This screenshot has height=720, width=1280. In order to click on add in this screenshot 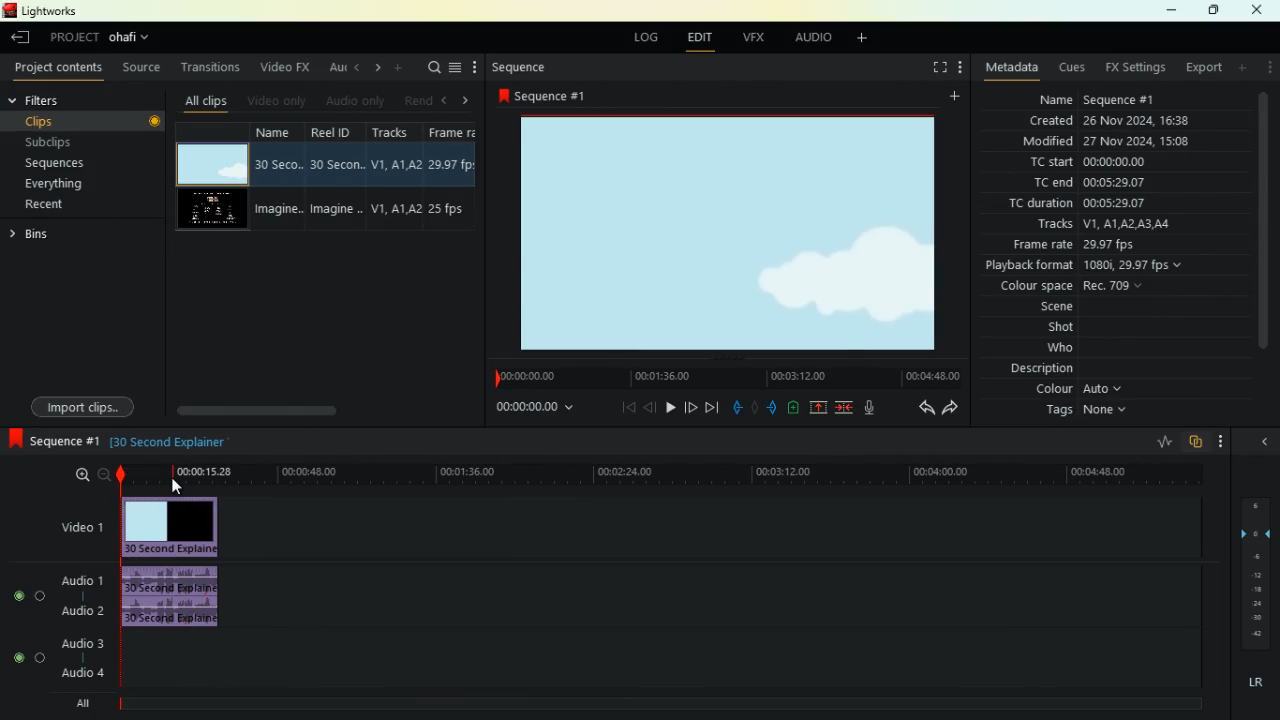, I will do `click(952, 98)`.